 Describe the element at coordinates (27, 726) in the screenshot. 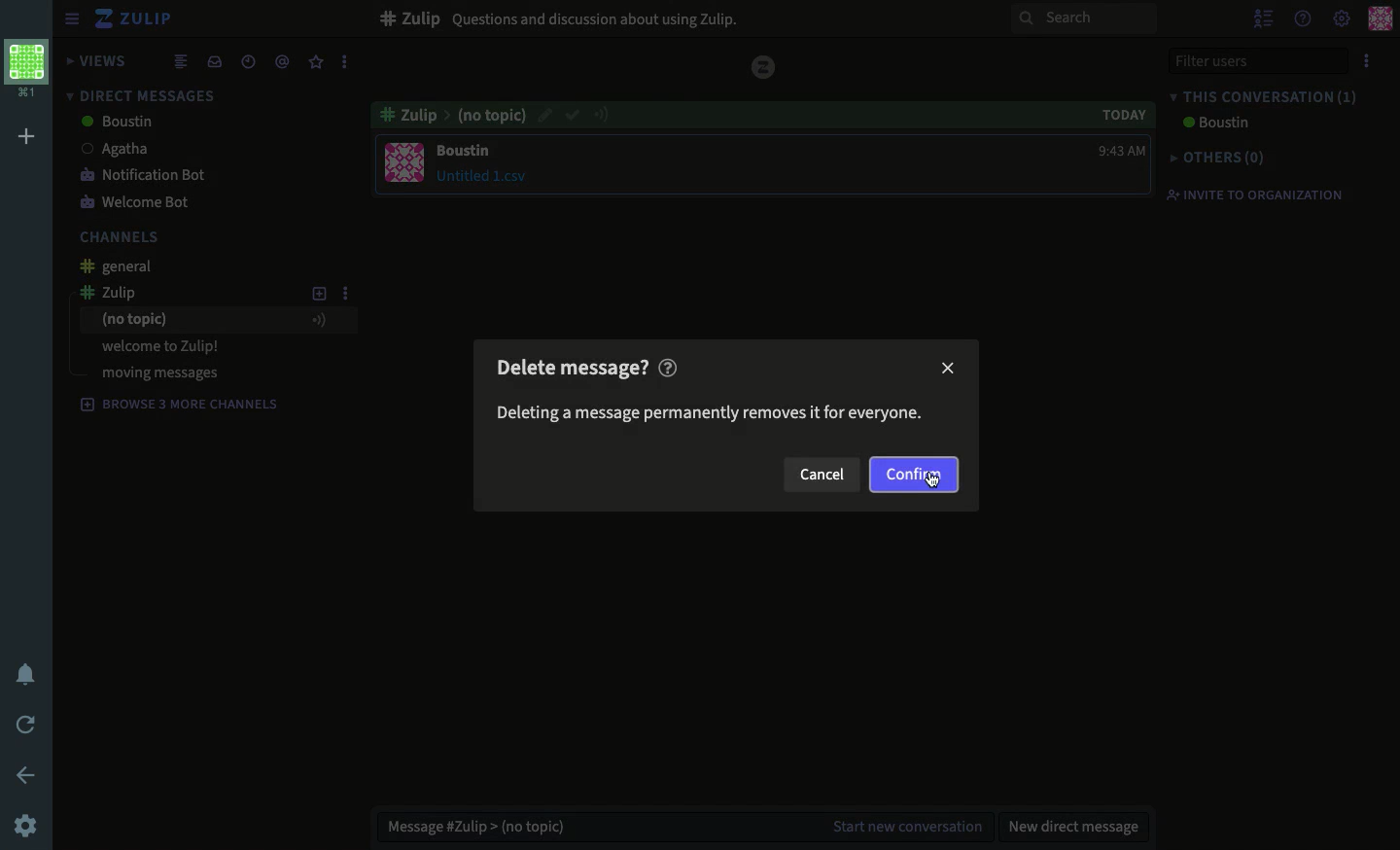

I see `refresh` at that location.